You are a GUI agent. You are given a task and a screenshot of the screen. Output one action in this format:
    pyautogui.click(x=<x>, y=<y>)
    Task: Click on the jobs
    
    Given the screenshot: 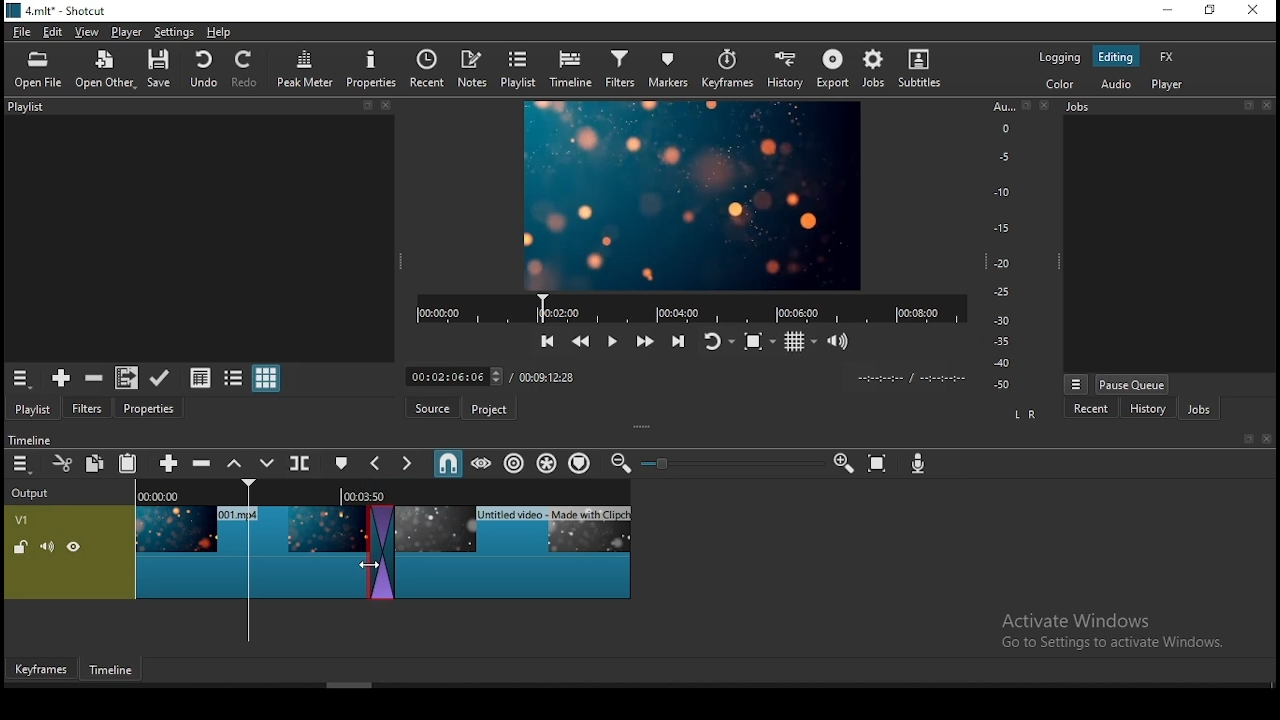 What is the action you would take?
    pyautogui.click(x=1199, y=409)
    